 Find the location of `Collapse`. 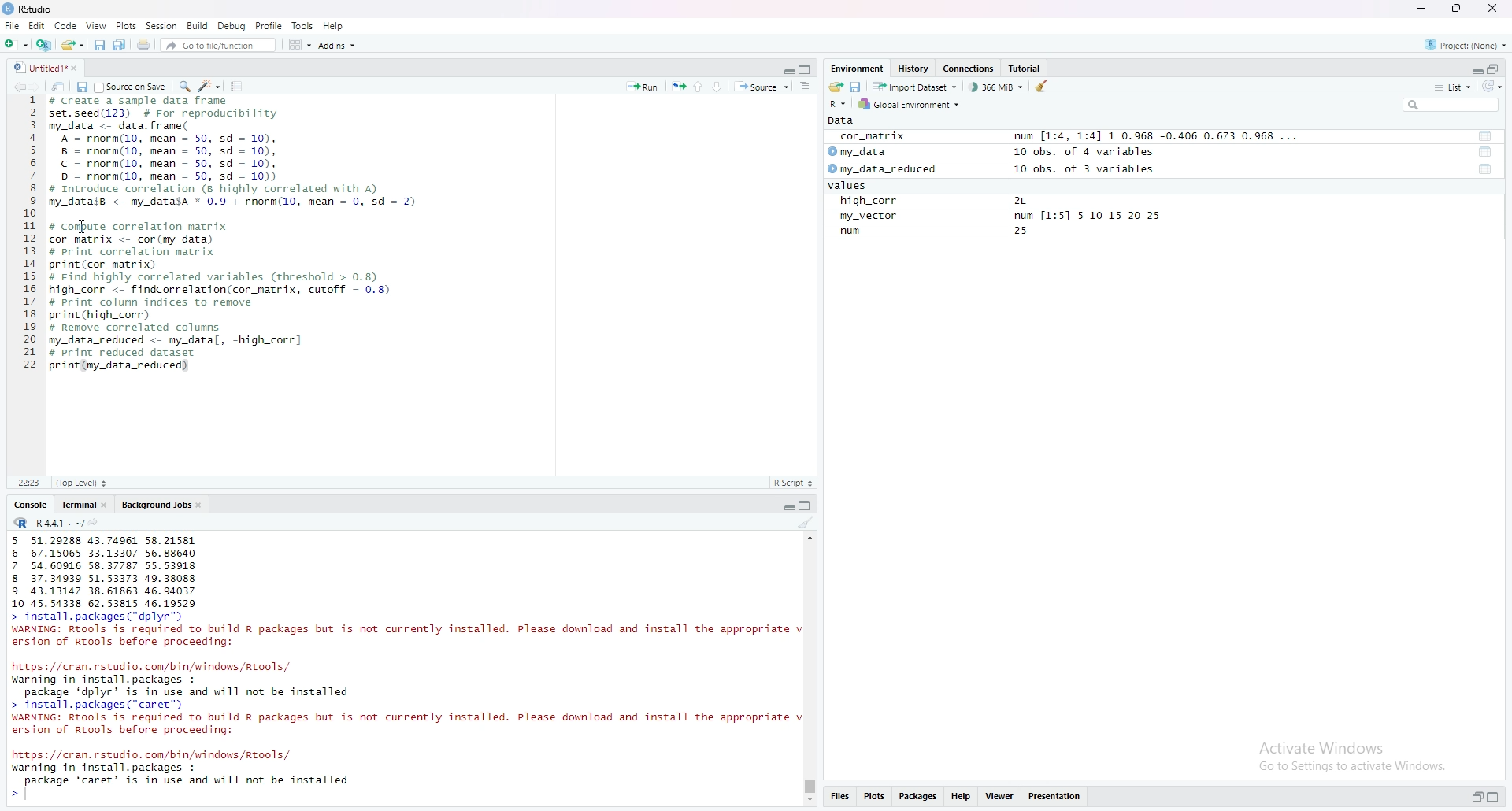

Collapse is located at coordinates (1473, 70).